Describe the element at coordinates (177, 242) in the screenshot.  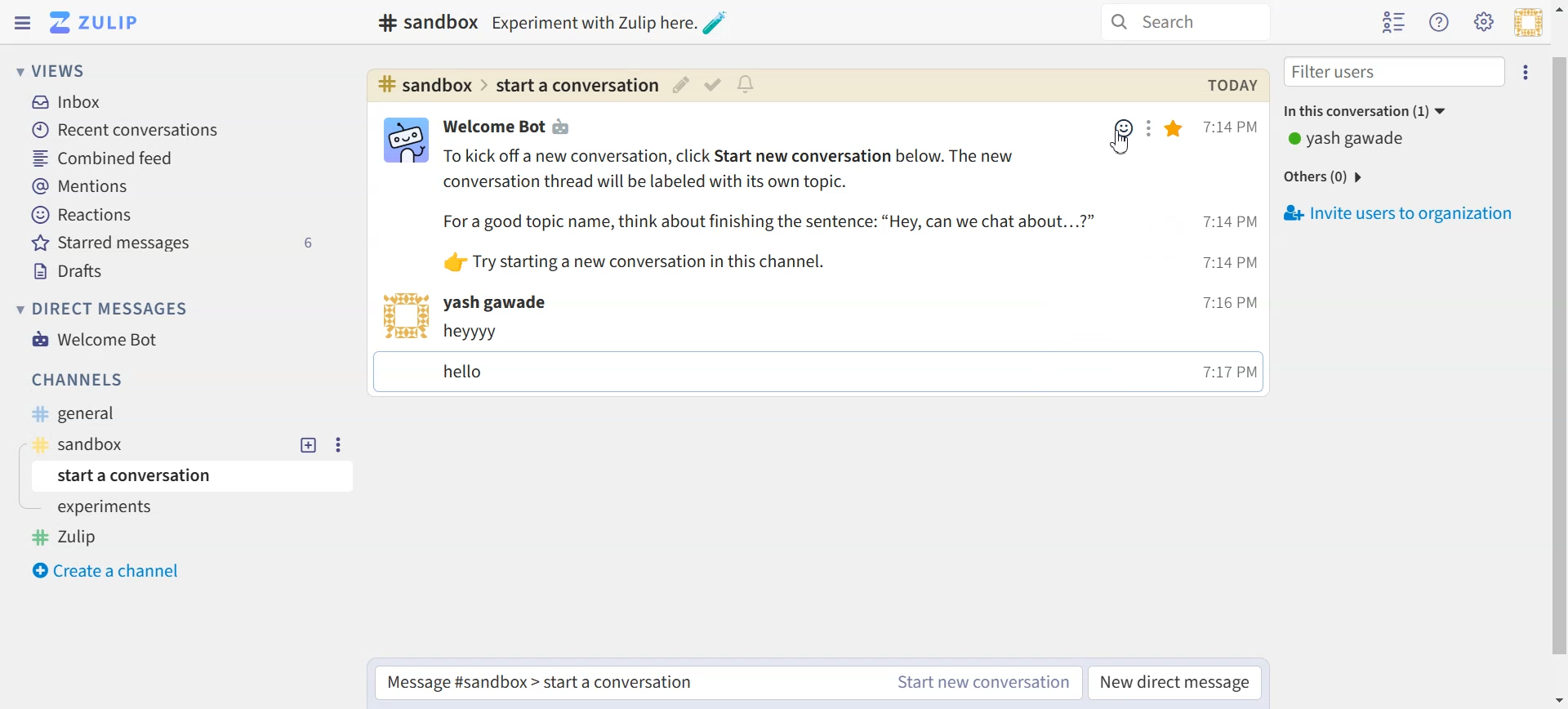
I see `Starred messages` at that location.